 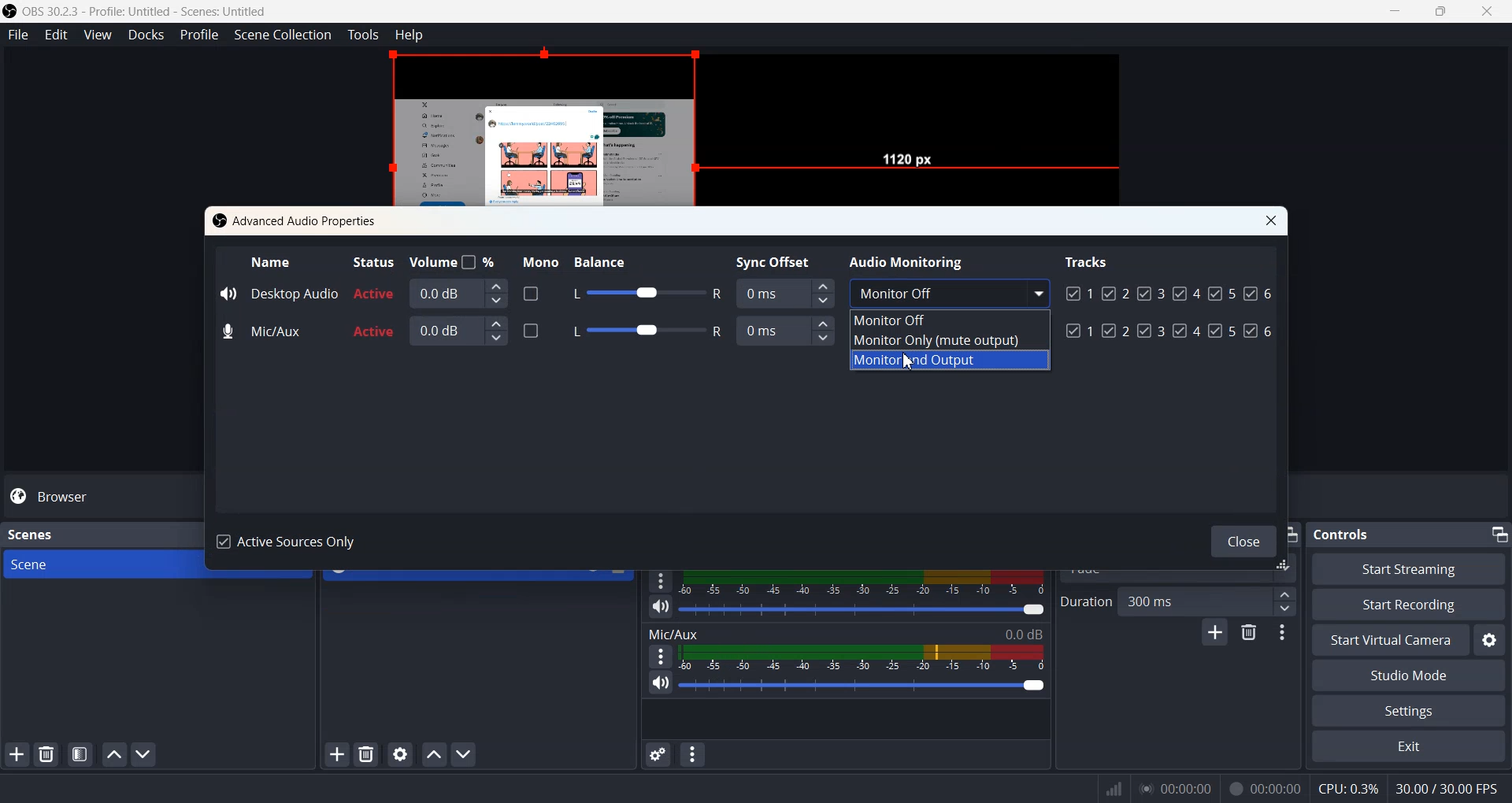 I want to click on Audio Monitoring, so click(x=910, y=260).